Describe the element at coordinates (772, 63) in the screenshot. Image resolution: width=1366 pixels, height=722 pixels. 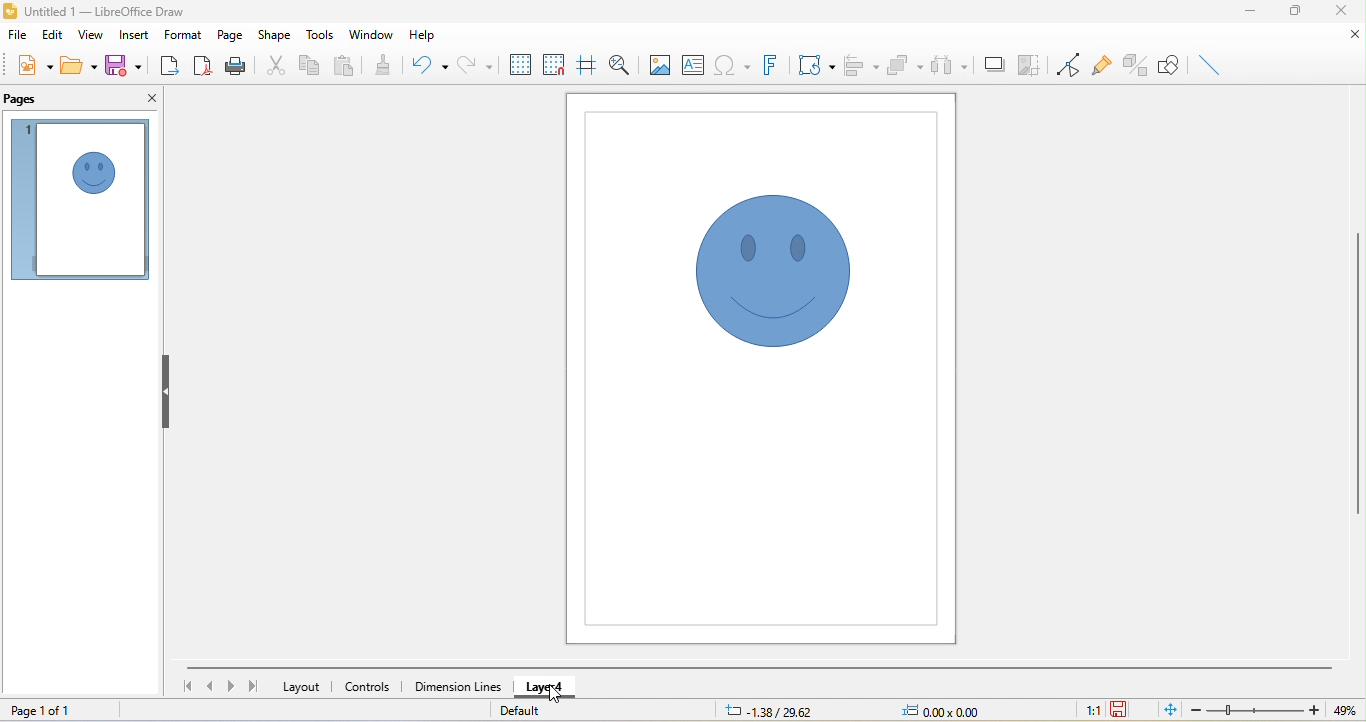
I see `font work text` at that location.